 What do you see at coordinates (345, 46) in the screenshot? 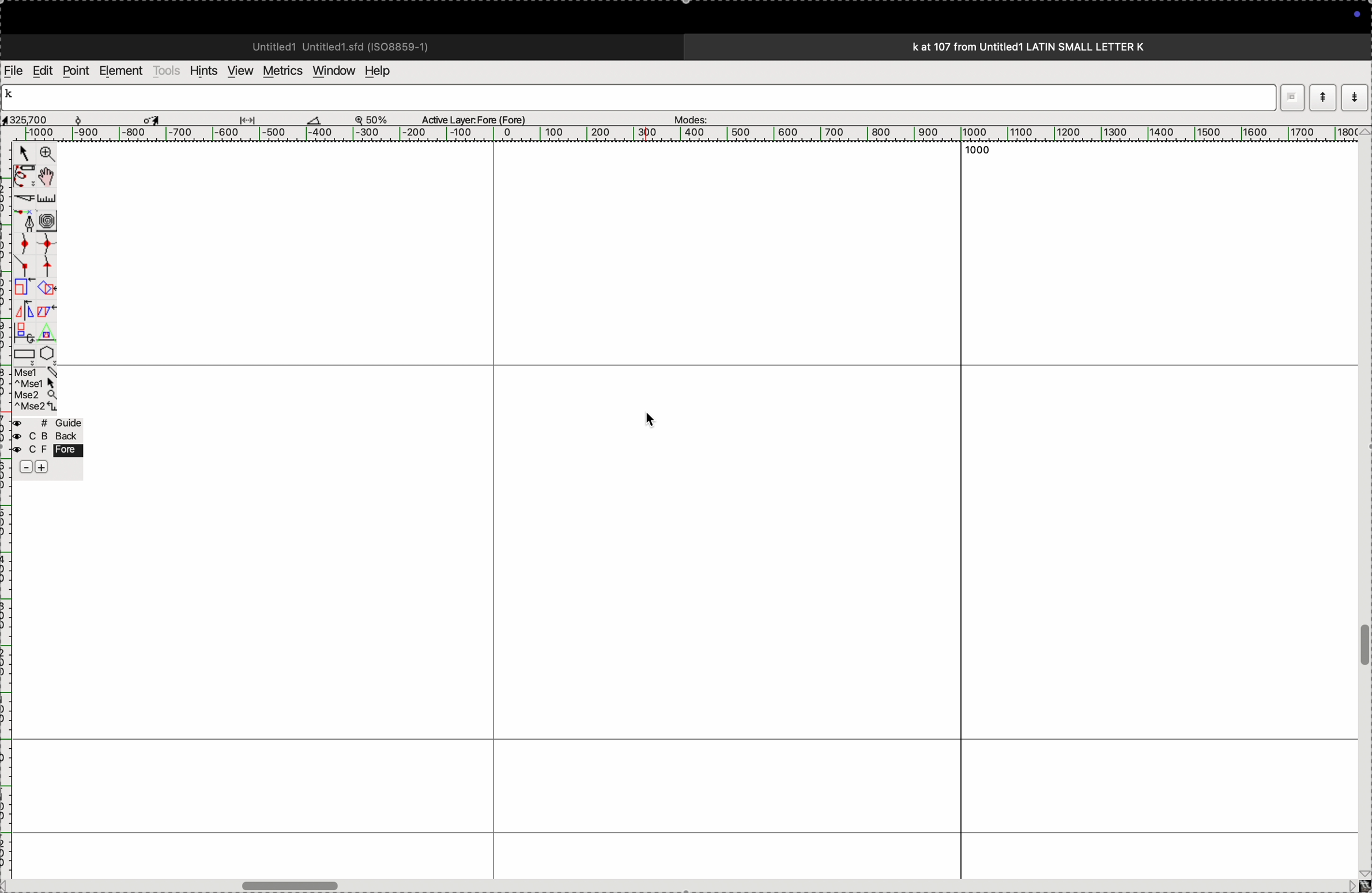
I see `untitled std` at bounding box center [345, 46].